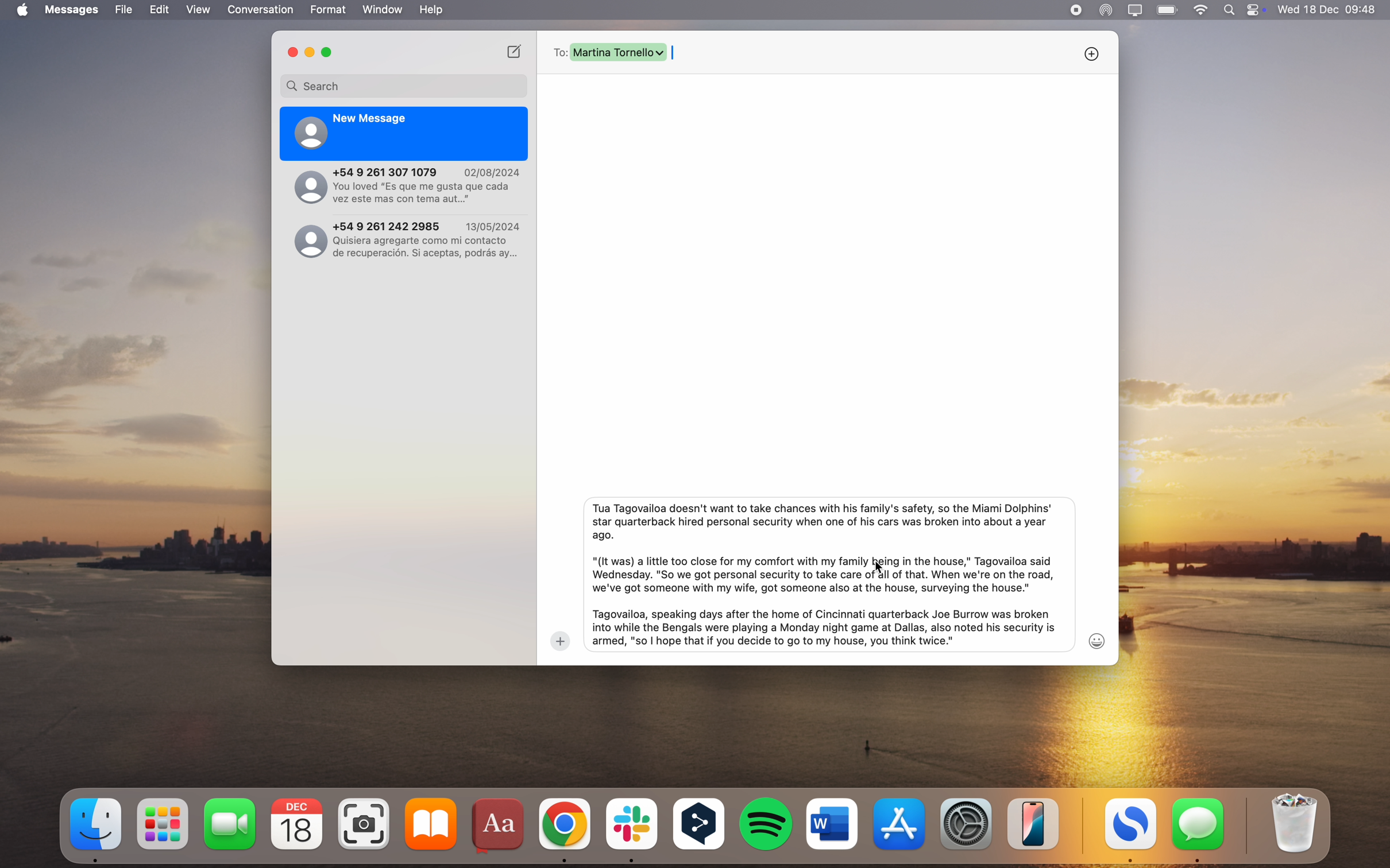  Describe the element at coordinates (124, 10) in the screenshot. I see `file` at that location.